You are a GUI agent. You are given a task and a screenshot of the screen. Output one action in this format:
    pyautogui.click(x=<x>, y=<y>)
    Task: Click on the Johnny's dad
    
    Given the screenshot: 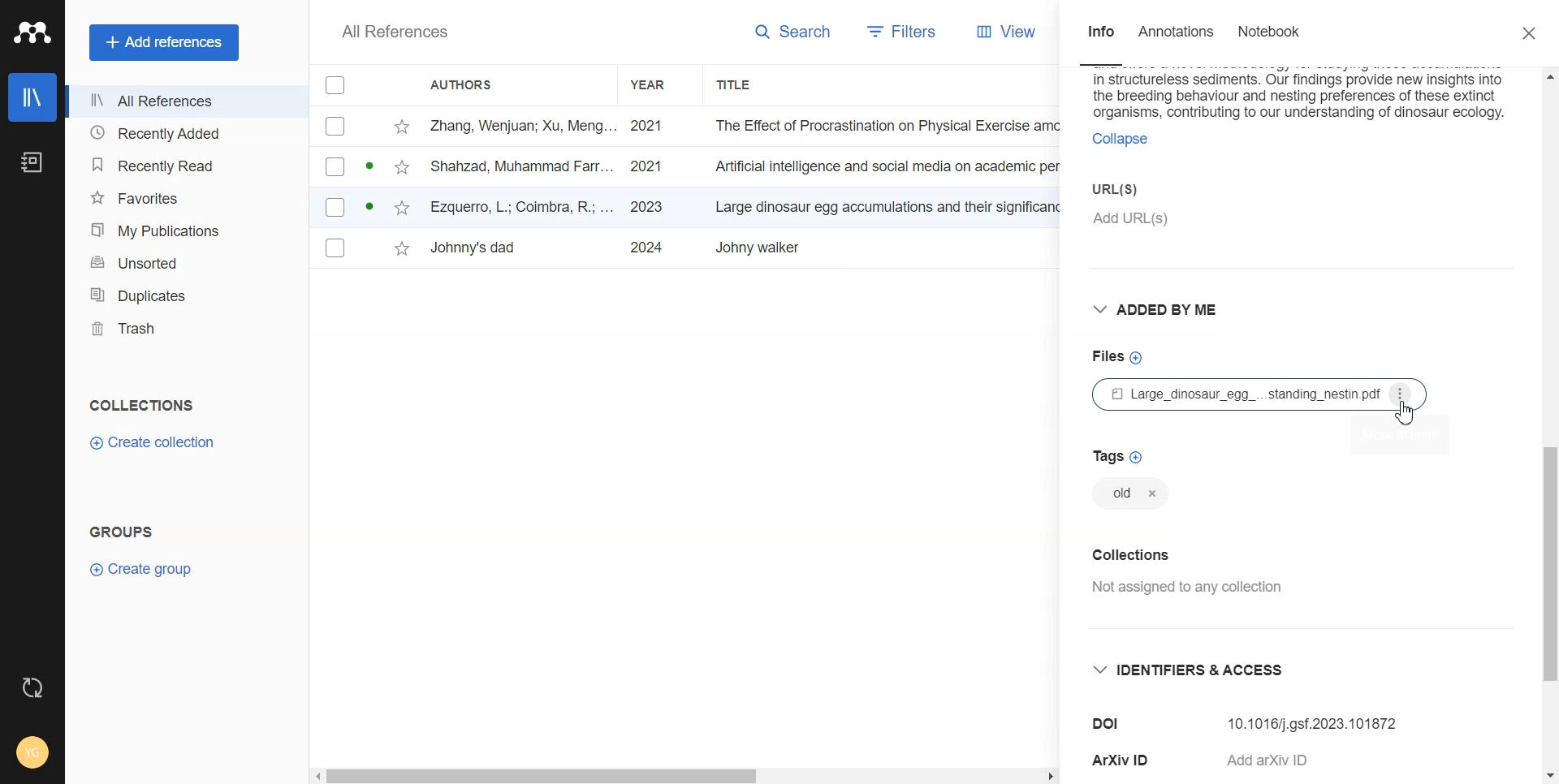 What is the action you would take?
    pyautogui.click(x=488, y=248)
    